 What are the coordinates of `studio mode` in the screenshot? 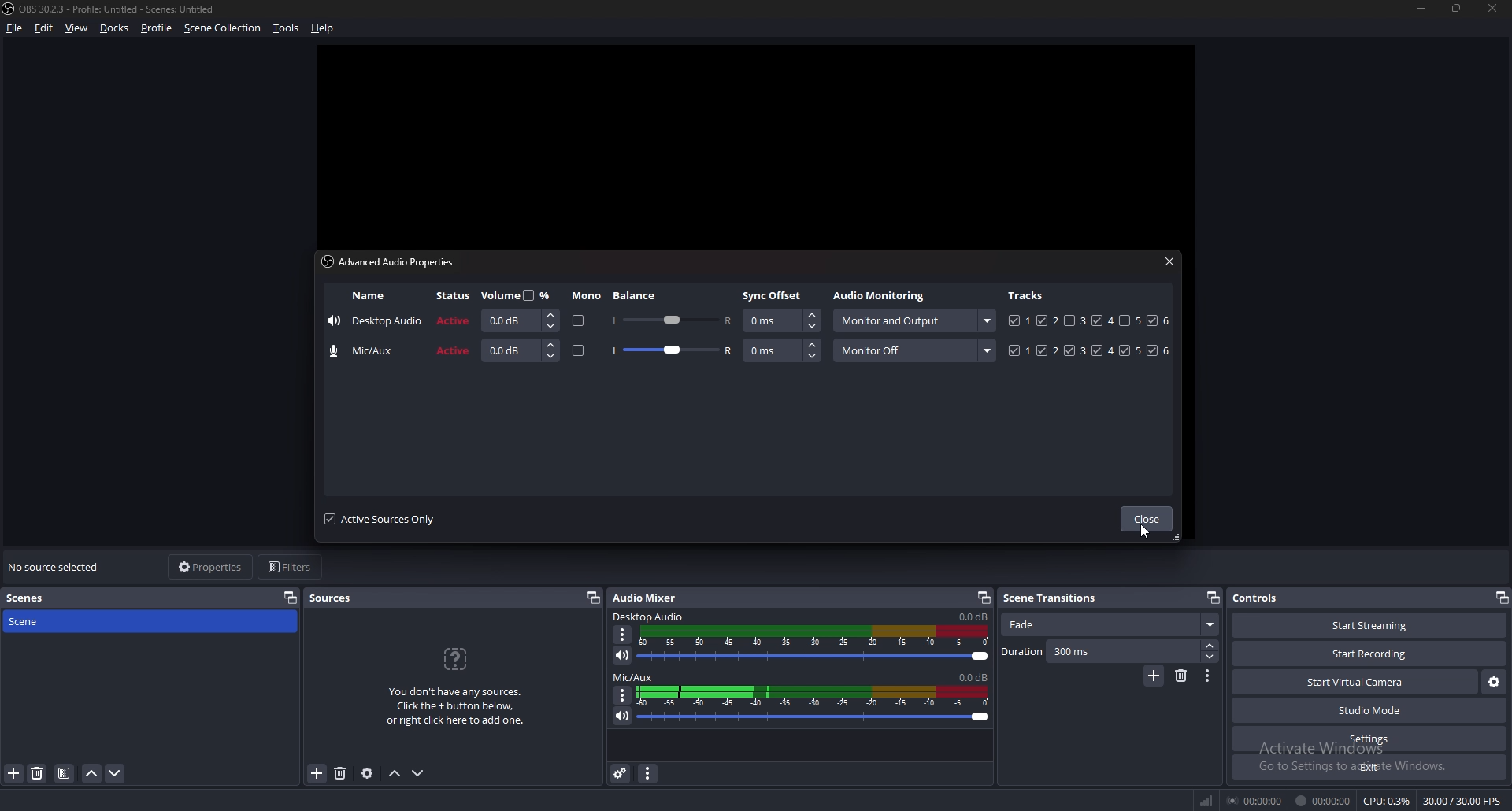 It's located at (1369, 711).